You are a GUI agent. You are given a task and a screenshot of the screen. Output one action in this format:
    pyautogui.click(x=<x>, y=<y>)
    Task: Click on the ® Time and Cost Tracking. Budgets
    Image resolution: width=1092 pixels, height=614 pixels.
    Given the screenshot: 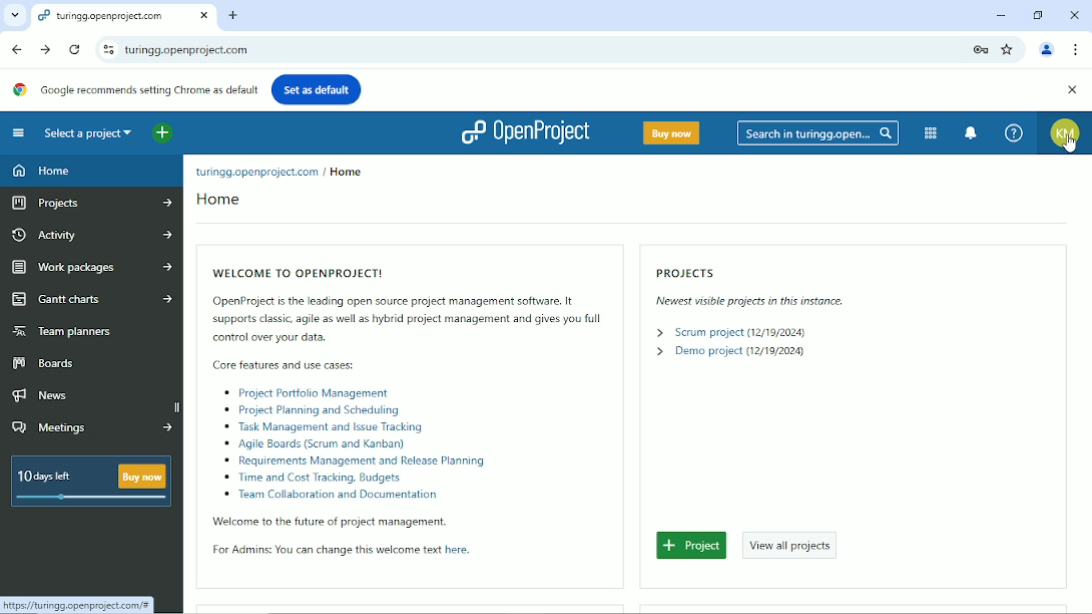 What is the action you would take?
    pyautogui.click(x=314, y=478)
    